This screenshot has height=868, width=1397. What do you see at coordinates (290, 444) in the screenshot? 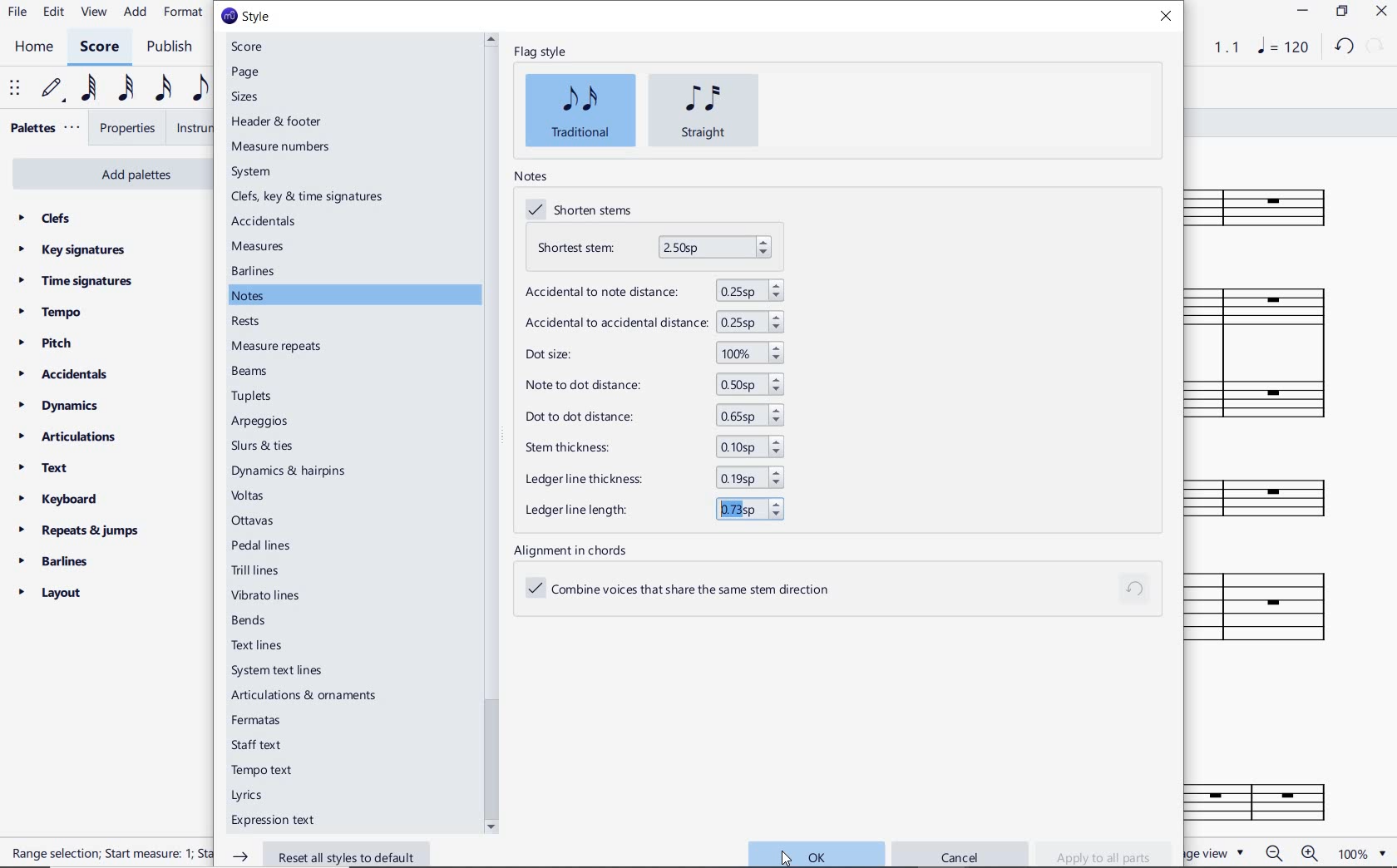
I see `slurs & ties` at bounding box center [290, 444].